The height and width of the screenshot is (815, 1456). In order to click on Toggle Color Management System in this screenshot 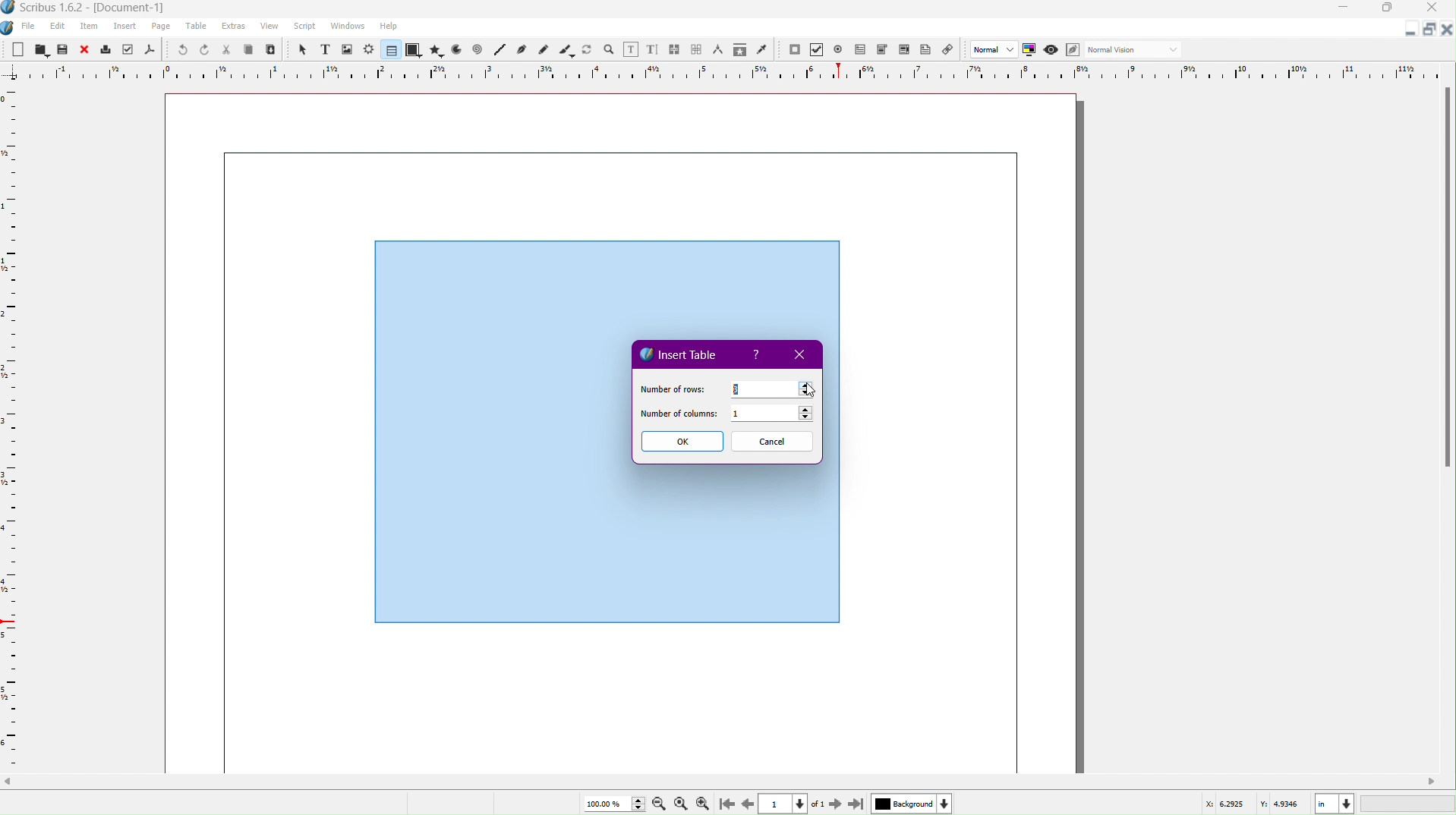, I will do `click(1032, 52)`.